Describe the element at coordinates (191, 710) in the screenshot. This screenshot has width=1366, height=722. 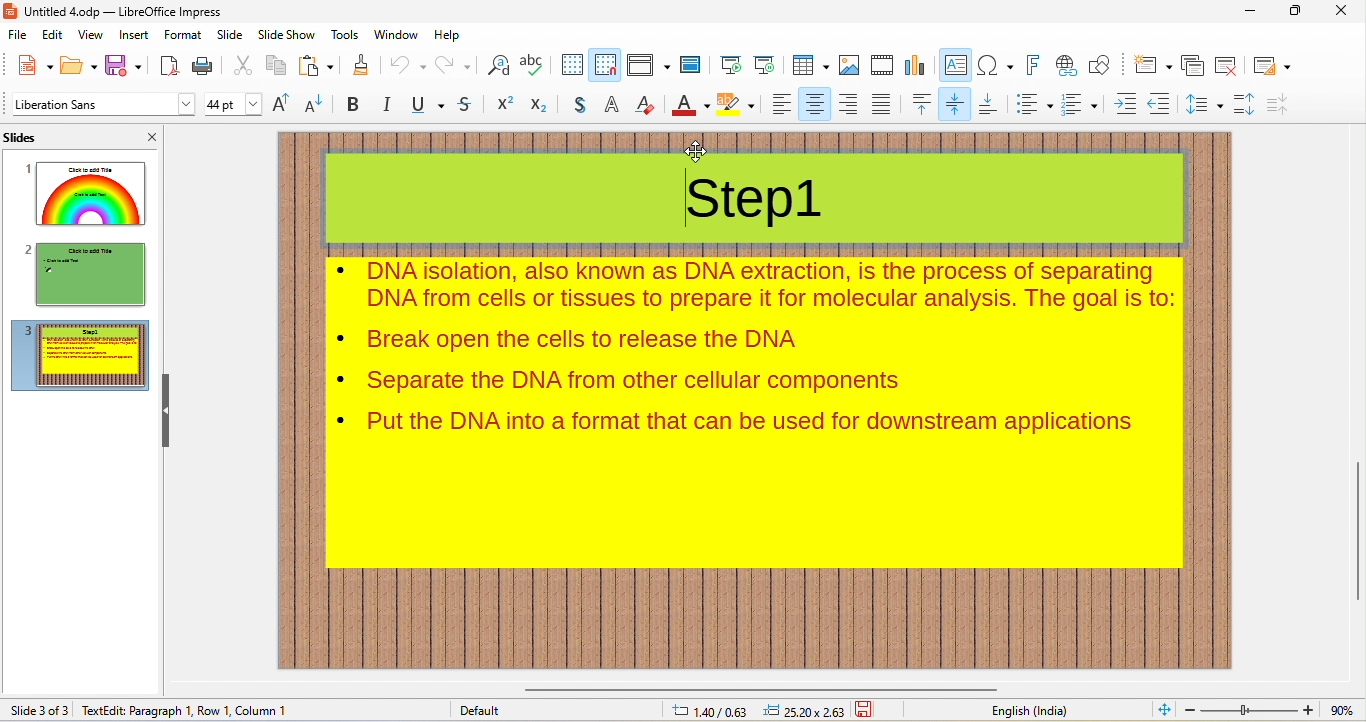
I see `text edit: paragraph 1, Row 1, Column 1` at that location.